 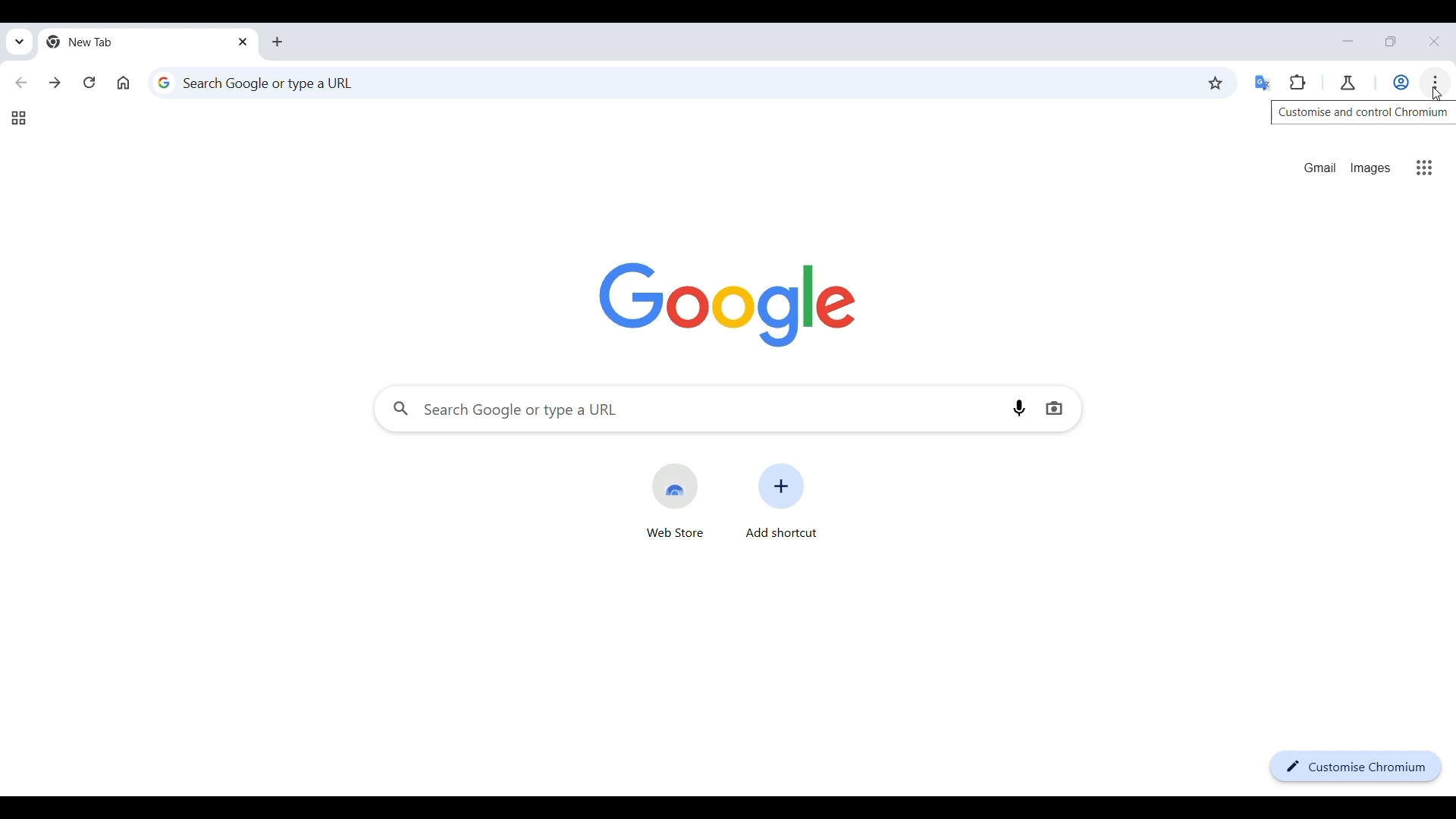 I want to click on Search by image, so click(x=1054, y=408).